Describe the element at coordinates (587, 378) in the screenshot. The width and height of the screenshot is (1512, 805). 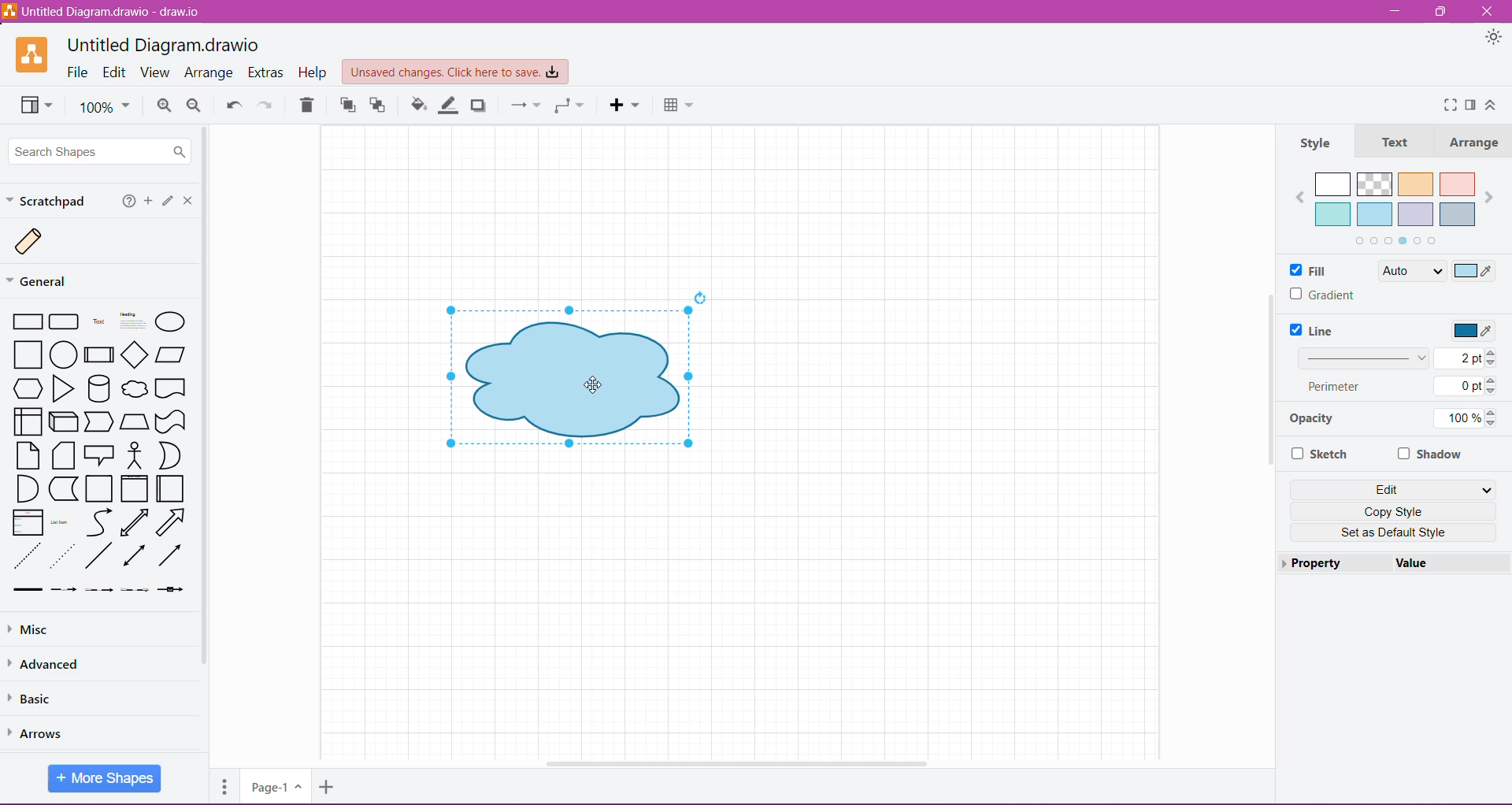
I see `Cursor` at that location.